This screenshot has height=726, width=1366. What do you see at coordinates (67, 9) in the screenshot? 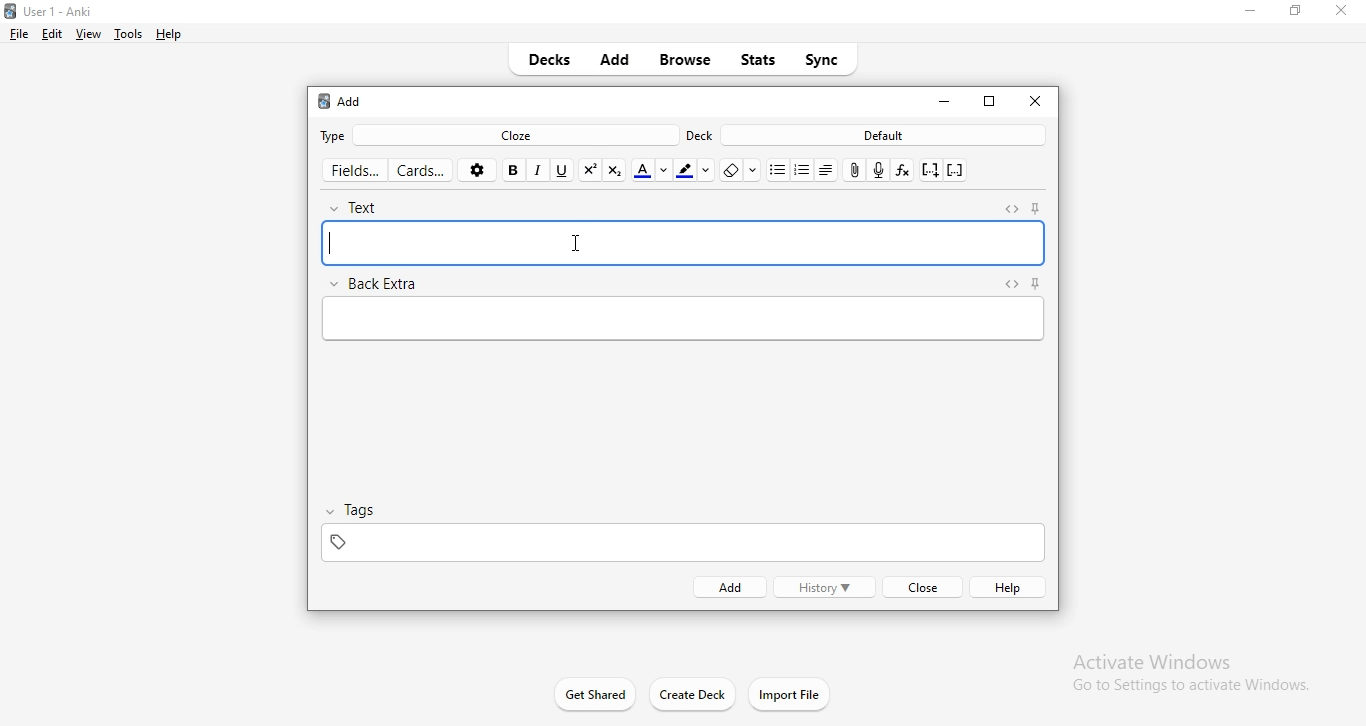
I see `Anki` at bounding box center [67, 9].